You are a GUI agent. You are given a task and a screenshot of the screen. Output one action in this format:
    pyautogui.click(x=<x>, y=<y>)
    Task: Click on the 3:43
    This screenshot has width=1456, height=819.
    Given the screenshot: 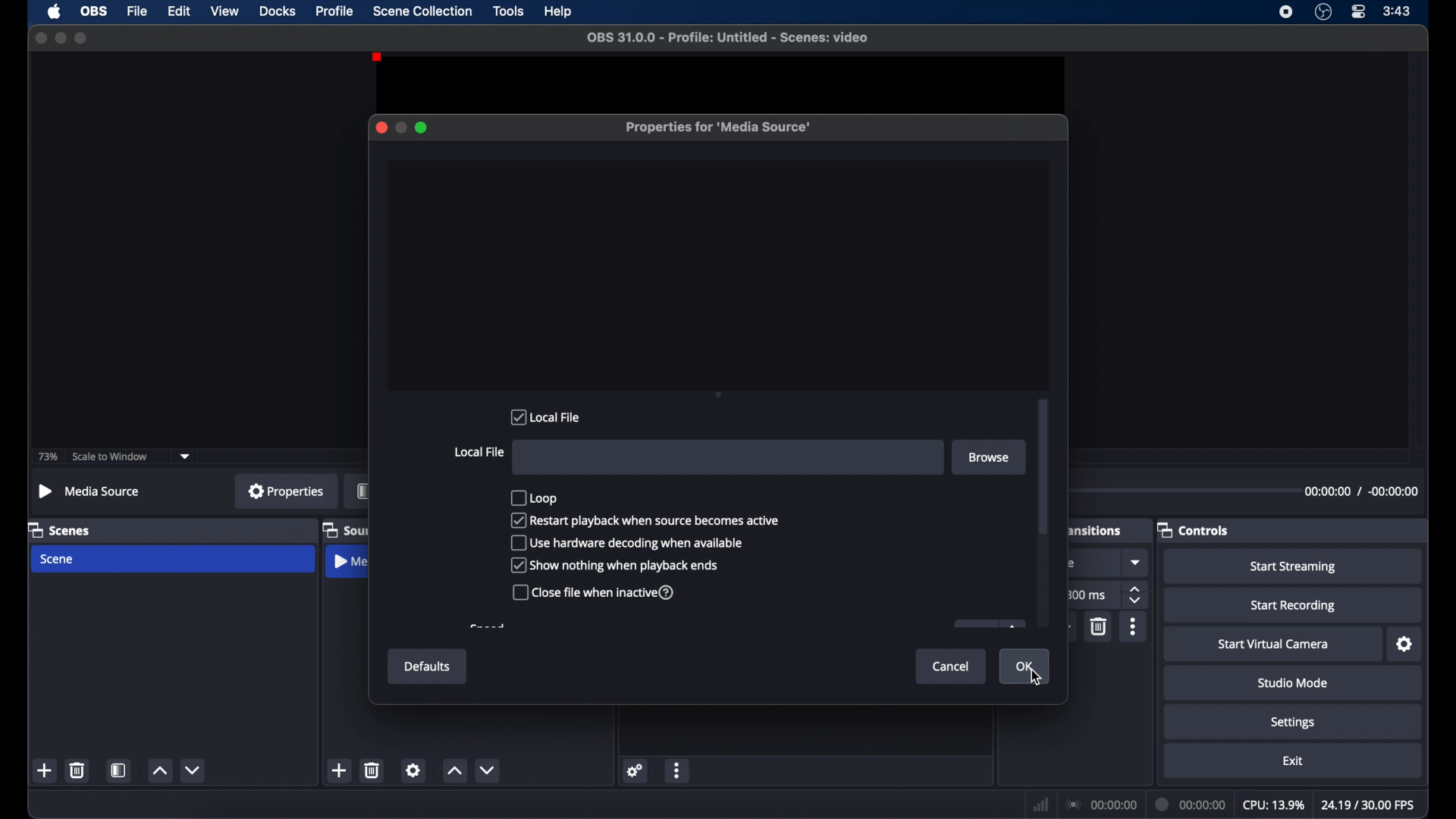 What is the action you would take?
    pyautogui.click(x=1398, y=11)
    